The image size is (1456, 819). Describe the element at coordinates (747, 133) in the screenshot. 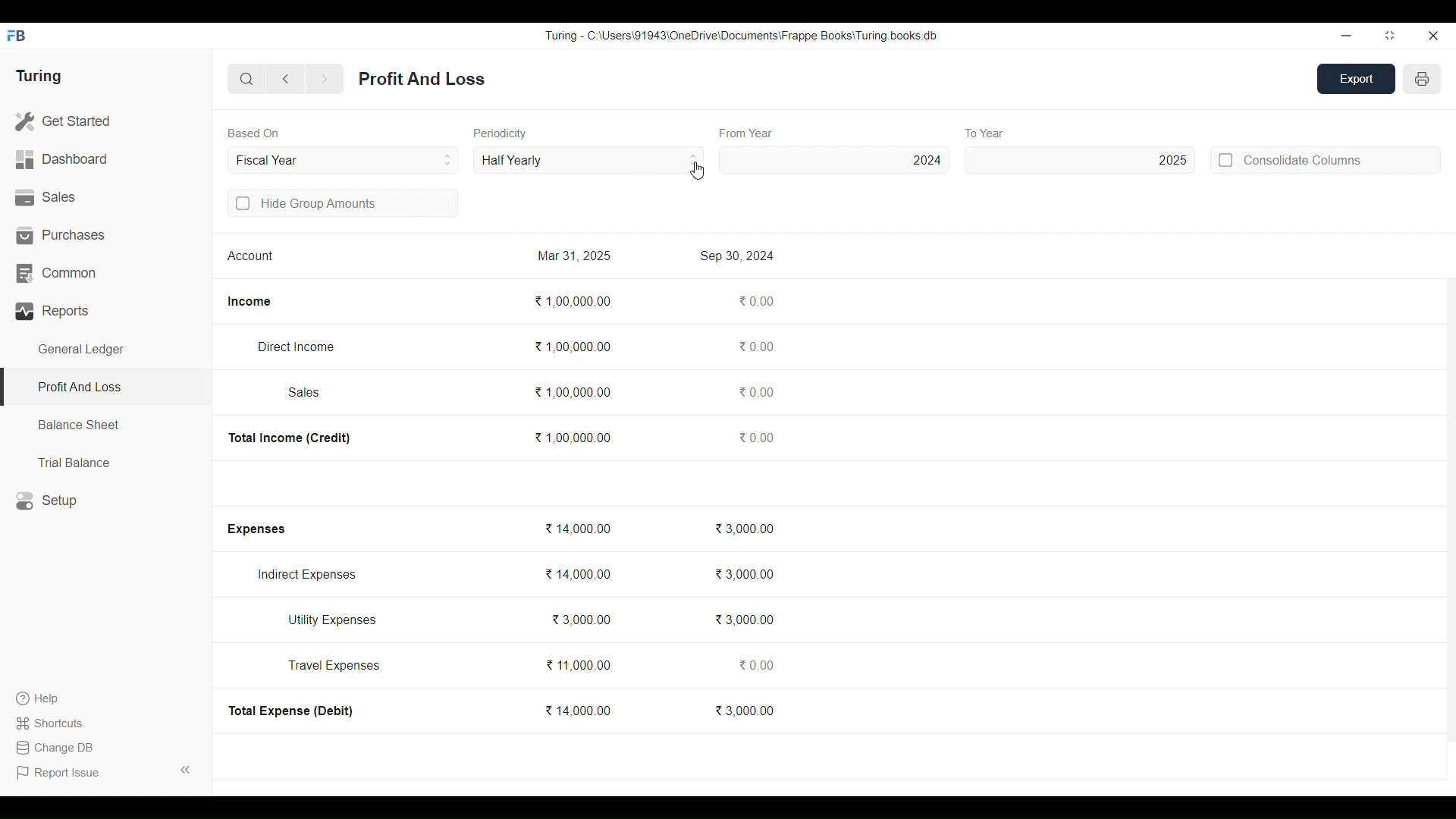

I see `From Year` at that location.